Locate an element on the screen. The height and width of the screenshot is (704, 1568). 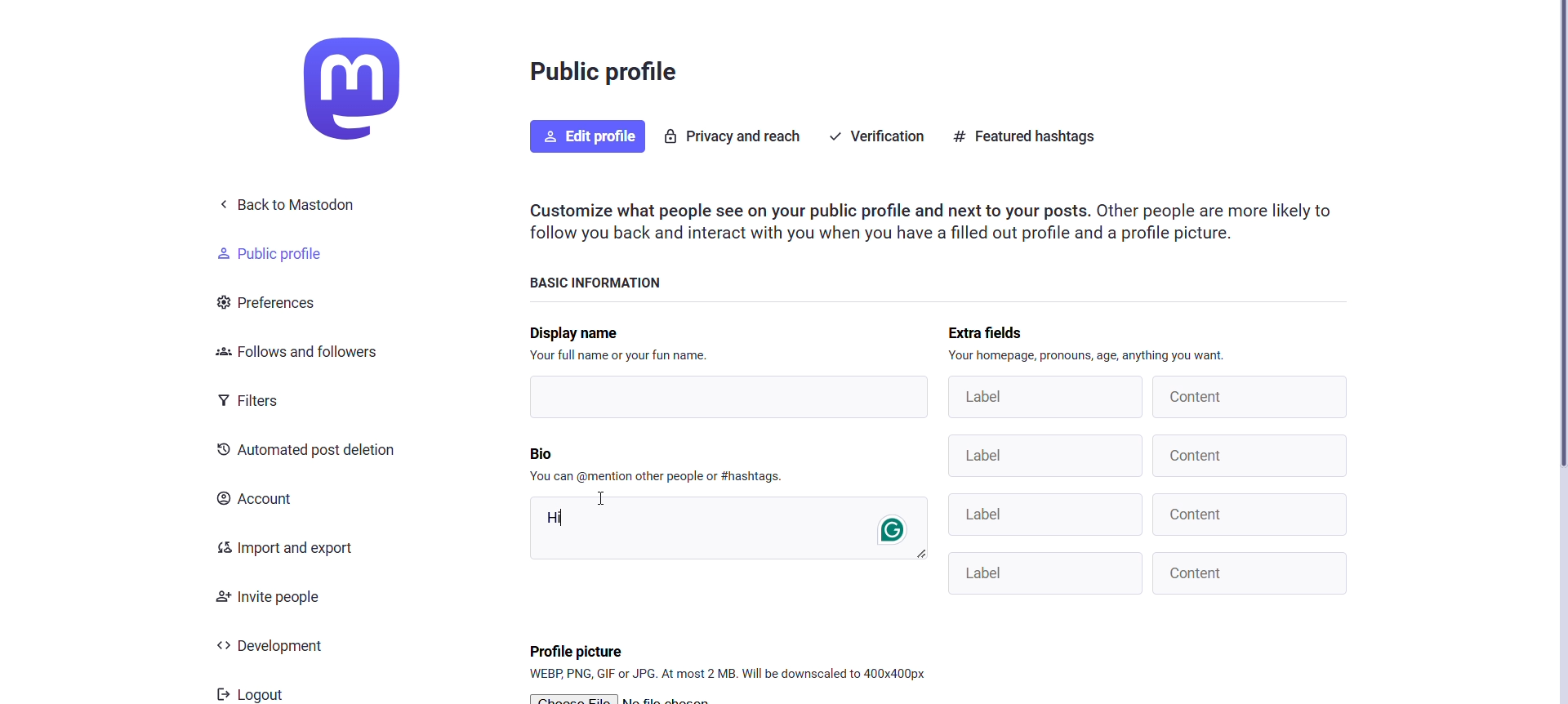
Home and Logo is located at coordinates (367, 88).